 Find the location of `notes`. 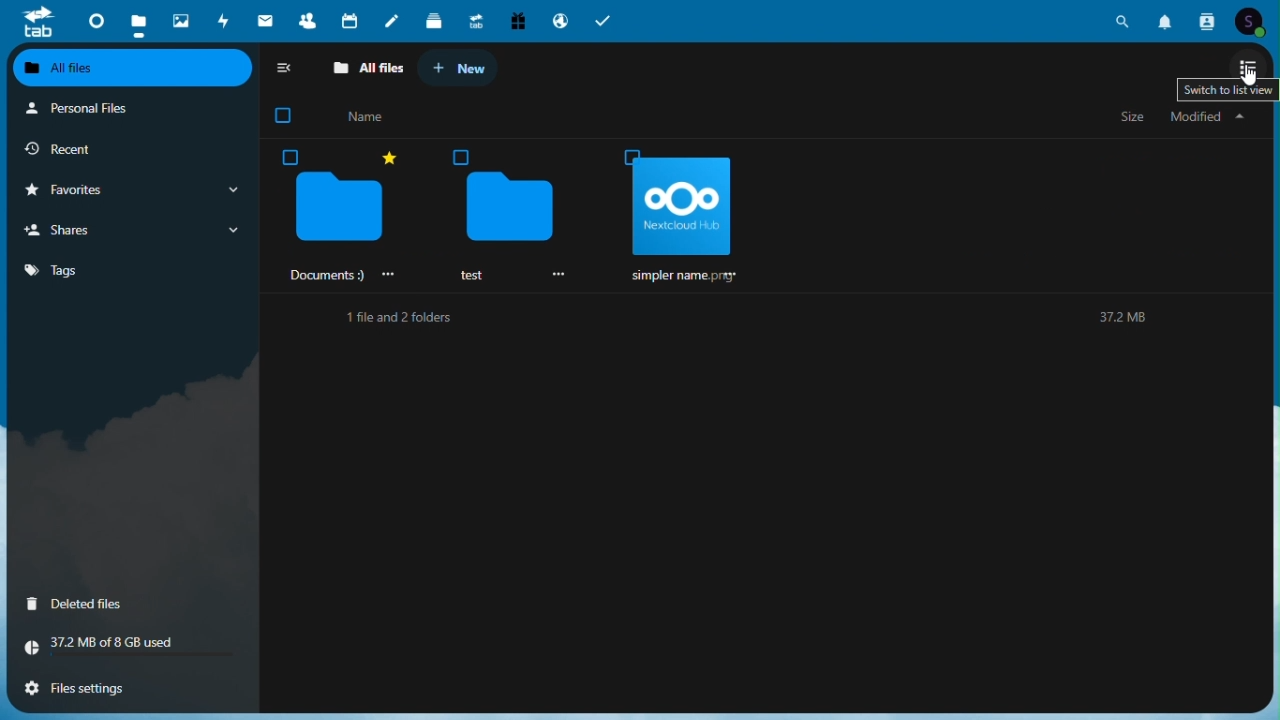

notes is located at coordinates (391, 19).